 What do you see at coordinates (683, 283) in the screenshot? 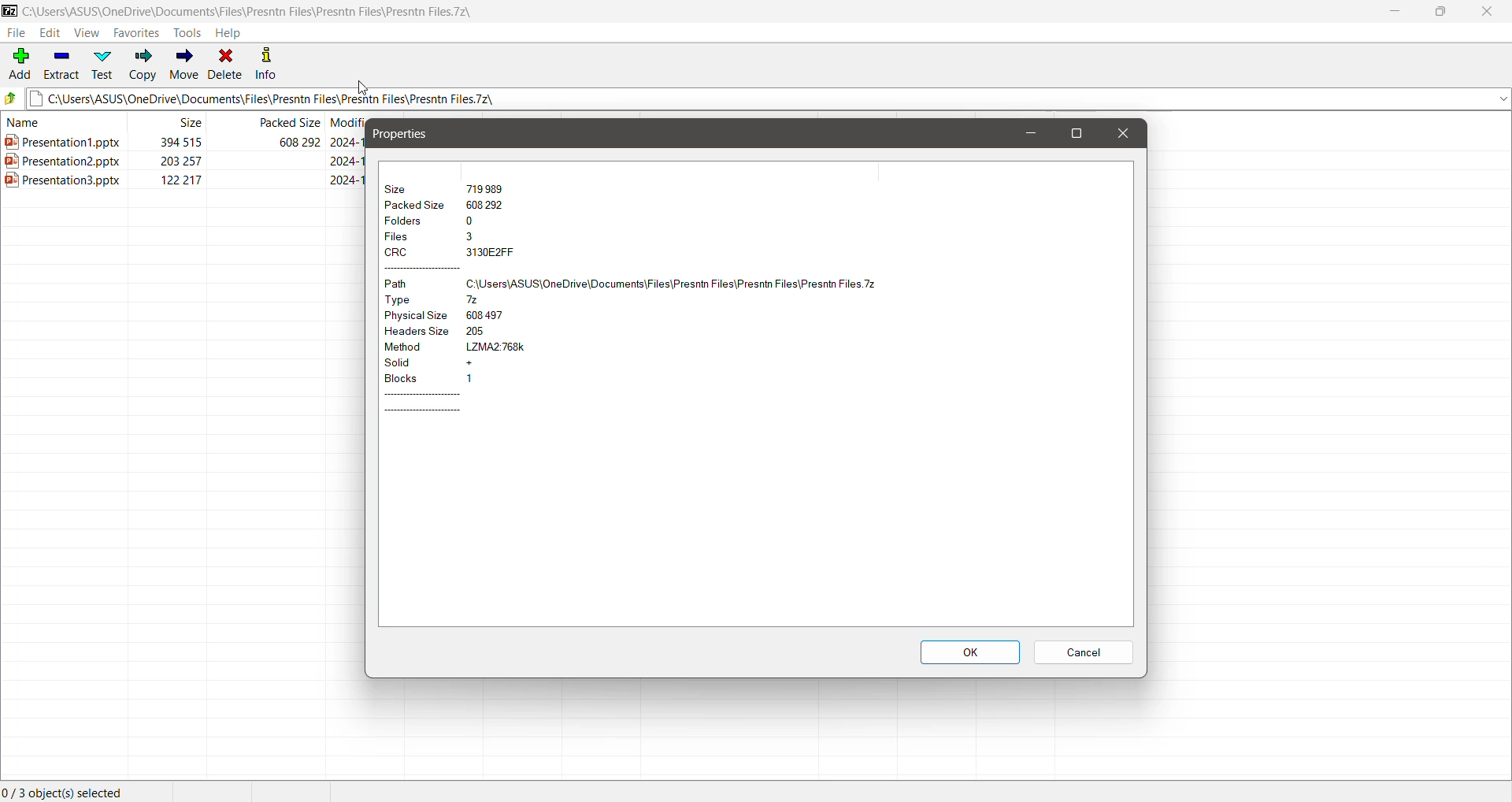
I see `C\Users\ASUS\OneDrive\Documents|Files\Presntn Files\Presntn Files\Presnin Files. 72` at bounding box center [683, 283].